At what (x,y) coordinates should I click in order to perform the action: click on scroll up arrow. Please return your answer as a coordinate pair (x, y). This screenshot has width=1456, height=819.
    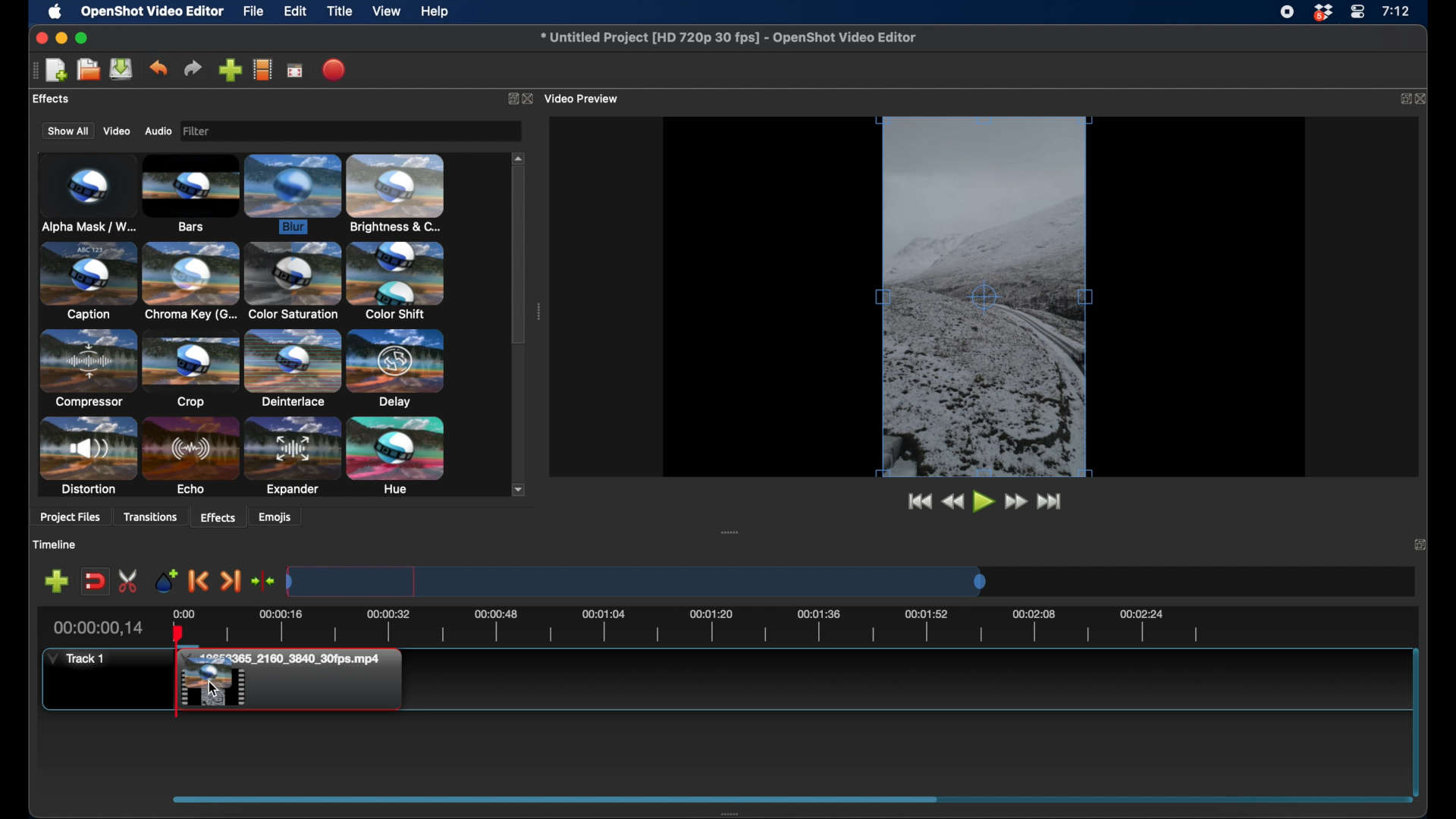
    Looking at the image, I should click on (519, 157).